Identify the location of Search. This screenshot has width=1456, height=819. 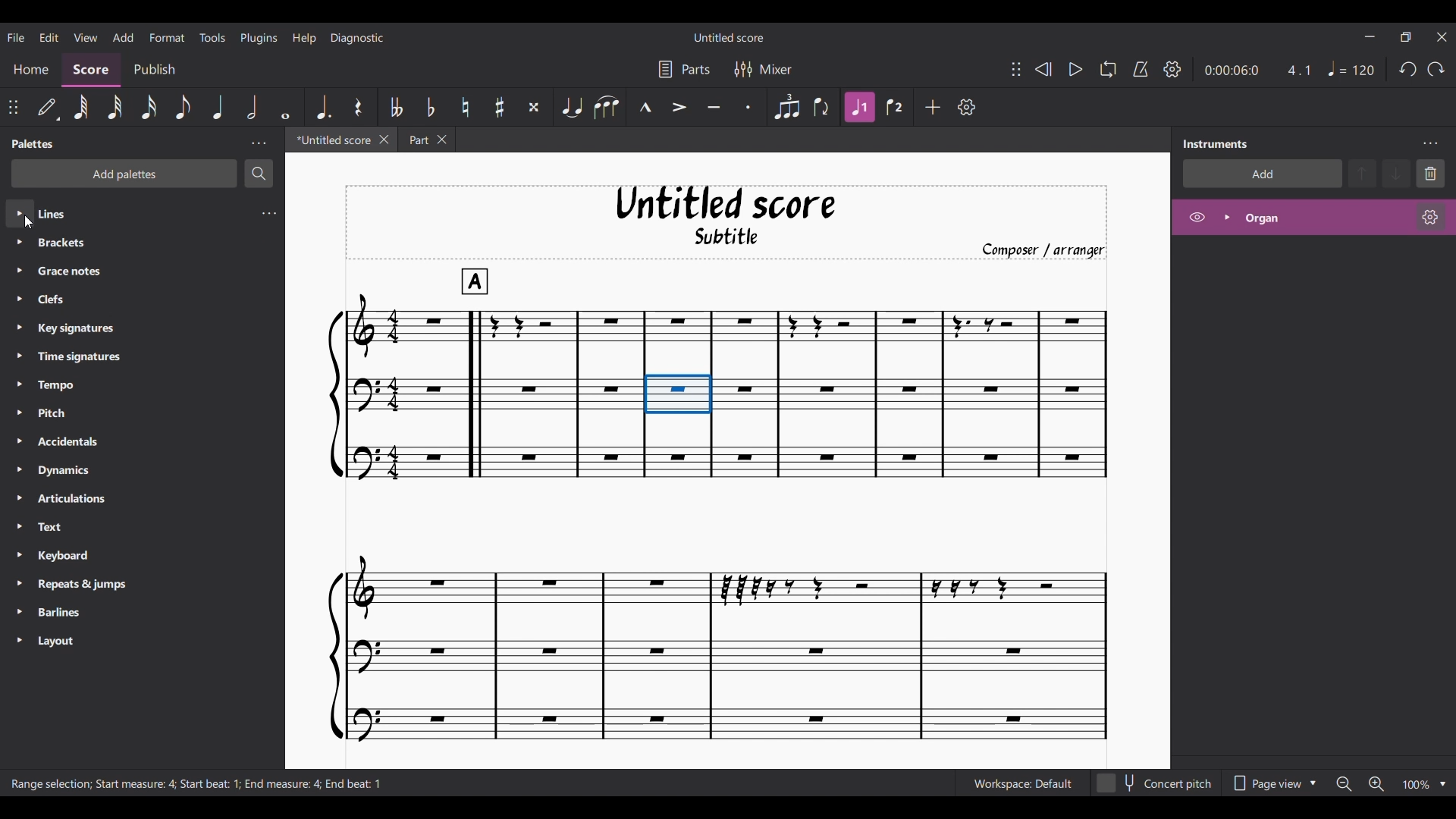
(259, 174).